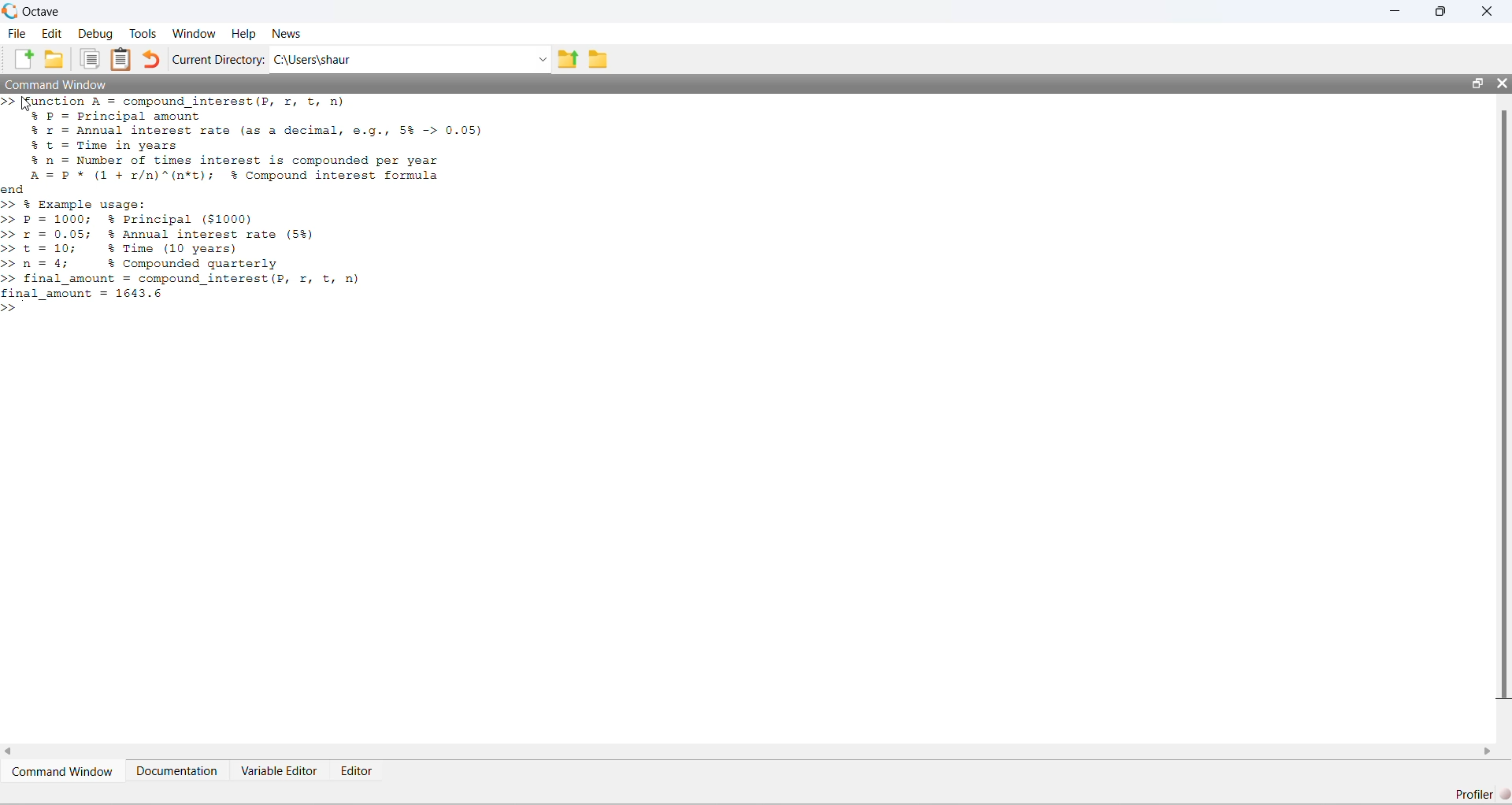 This screenshot has height=805, width=1512. I want to click on Close, so click(1488, 12).